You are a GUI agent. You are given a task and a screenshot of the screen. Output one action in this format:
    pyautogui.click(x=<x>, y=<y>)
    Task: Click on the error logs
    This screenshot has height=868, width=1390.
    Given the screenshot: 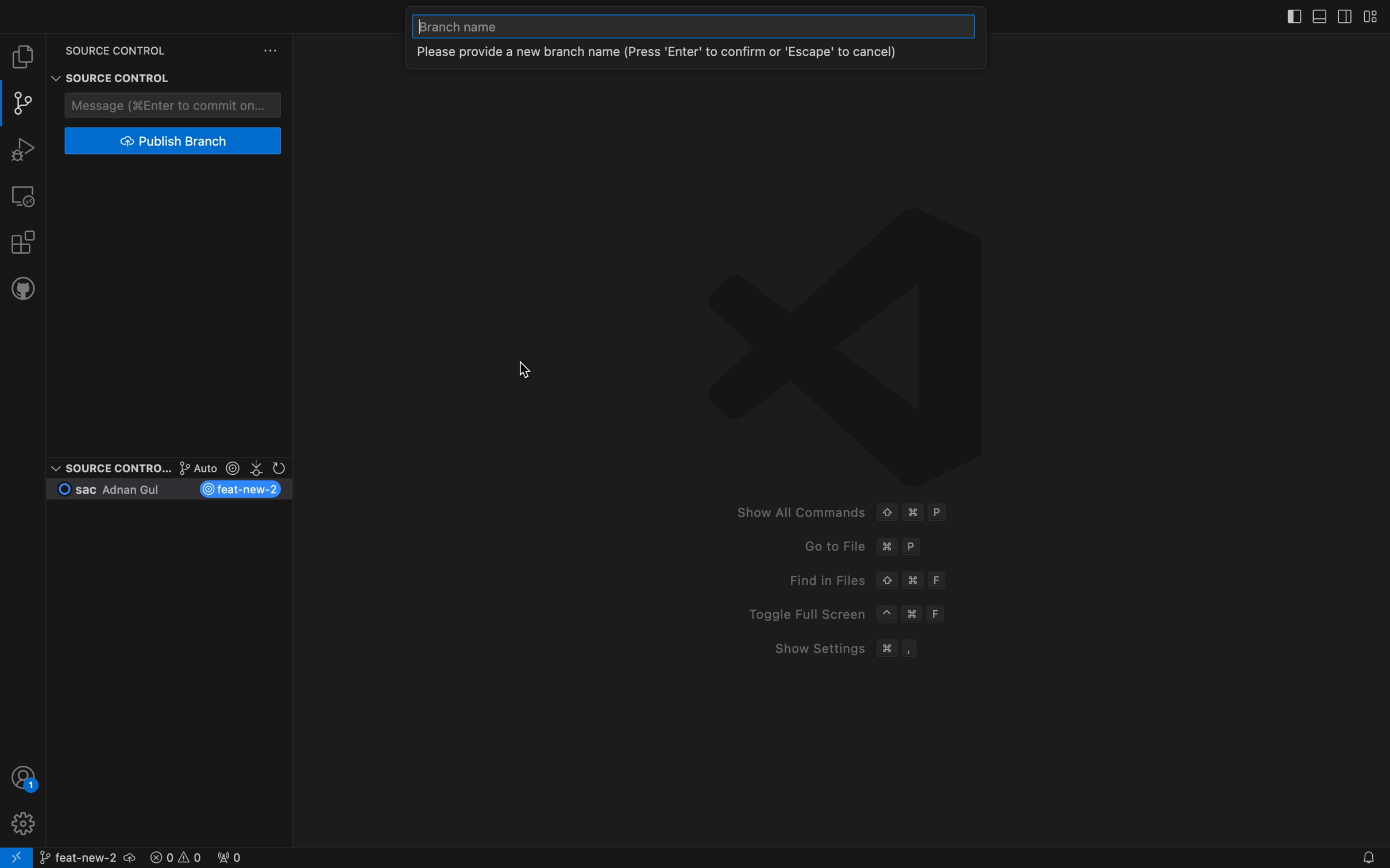 What is the action you would take?
    pyautogui.click(x=213, y=855)
    